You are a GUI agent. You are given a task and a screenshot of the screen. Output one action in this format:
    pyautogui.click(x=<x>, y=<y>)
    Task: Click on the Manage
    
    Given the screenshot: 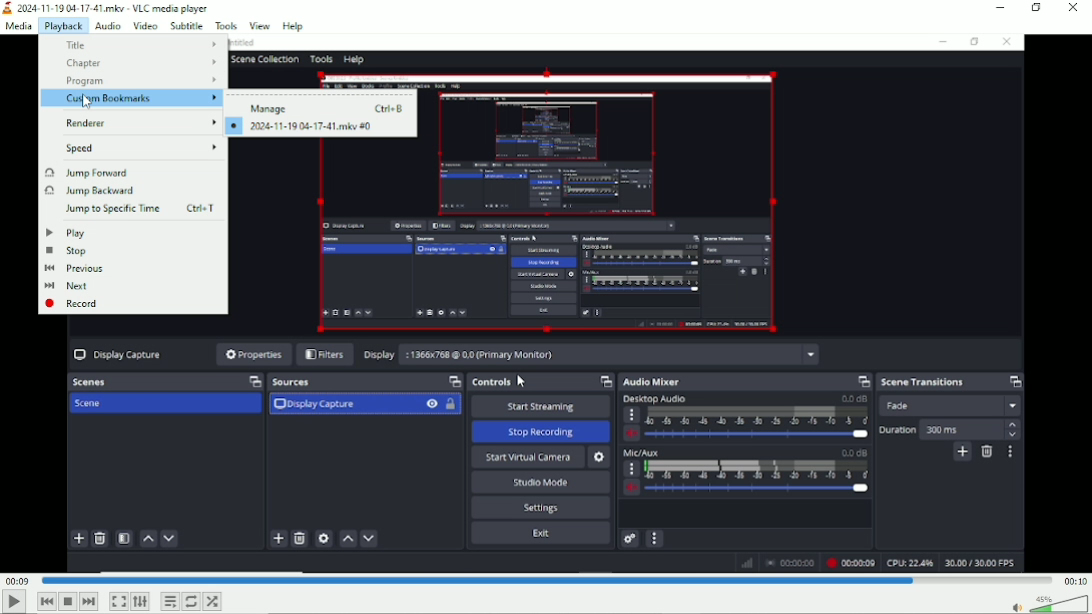 What is the action you would take?
    pyautogui.click(x=329, y=107)
    